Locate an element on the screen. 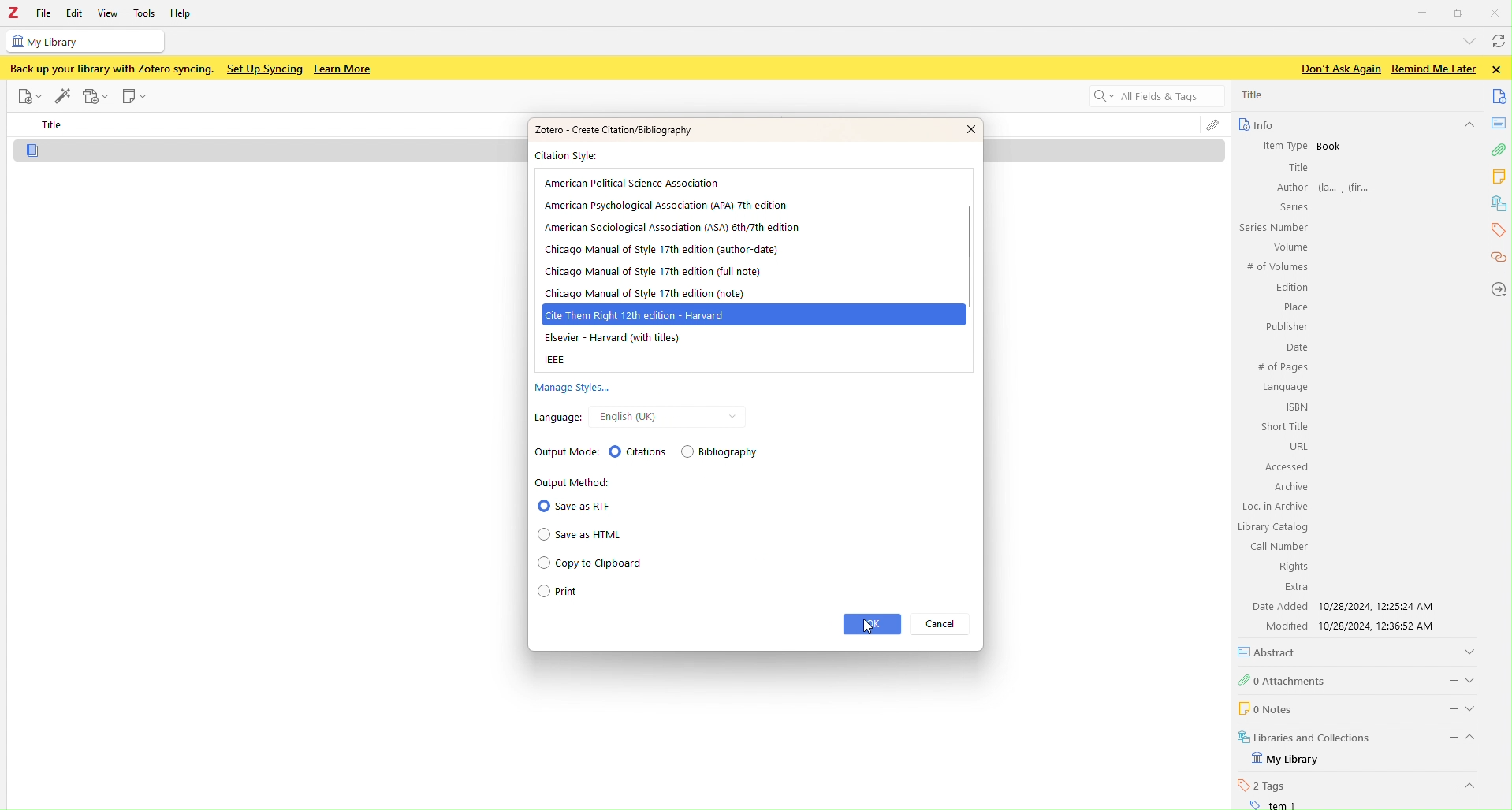 This screenshot has height=810, width=1512. attachment is located at coordinates (1498, 152).